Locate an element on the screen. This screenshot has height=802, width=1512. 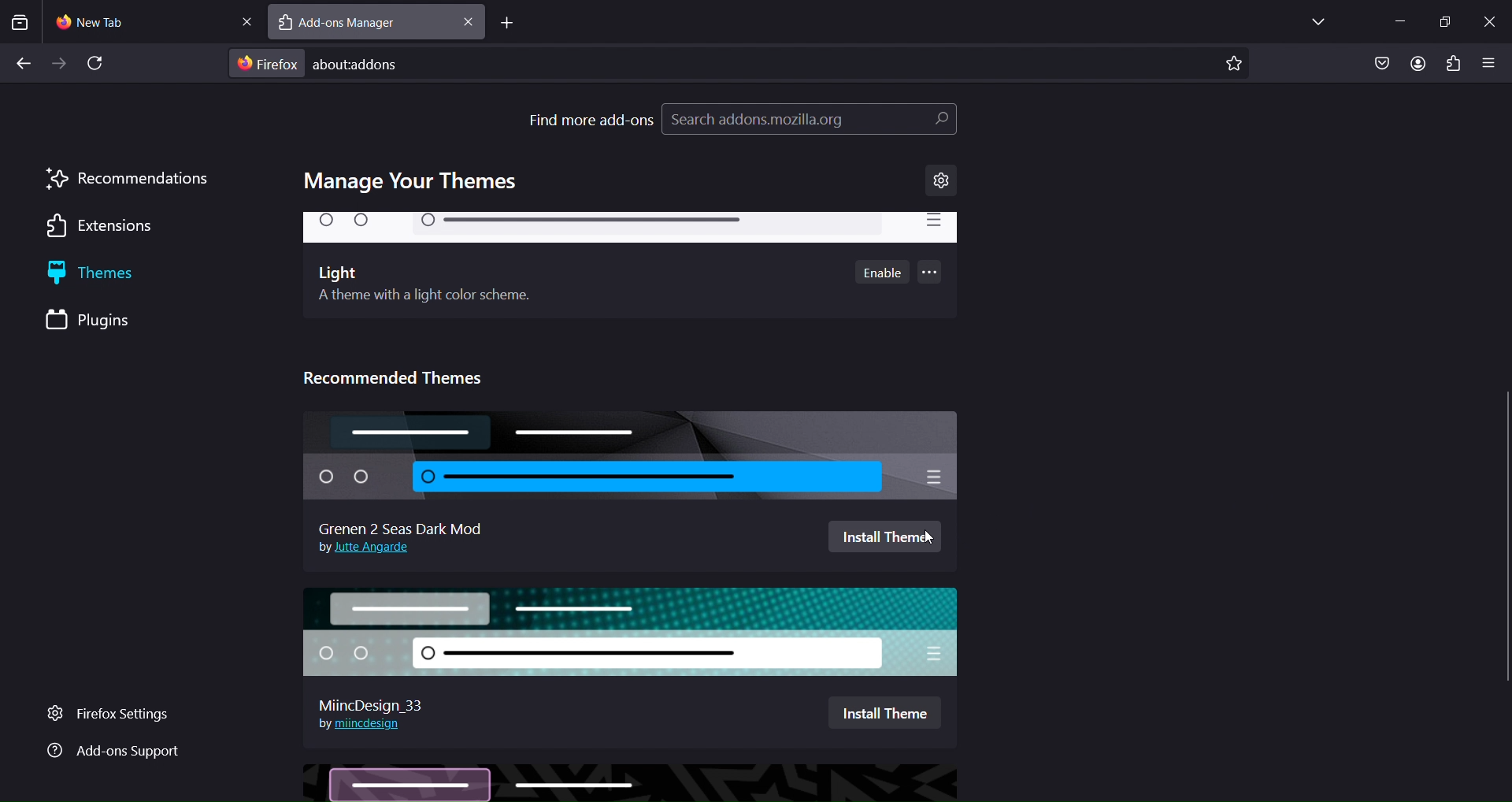
account is located at coordinates (1417, 65).